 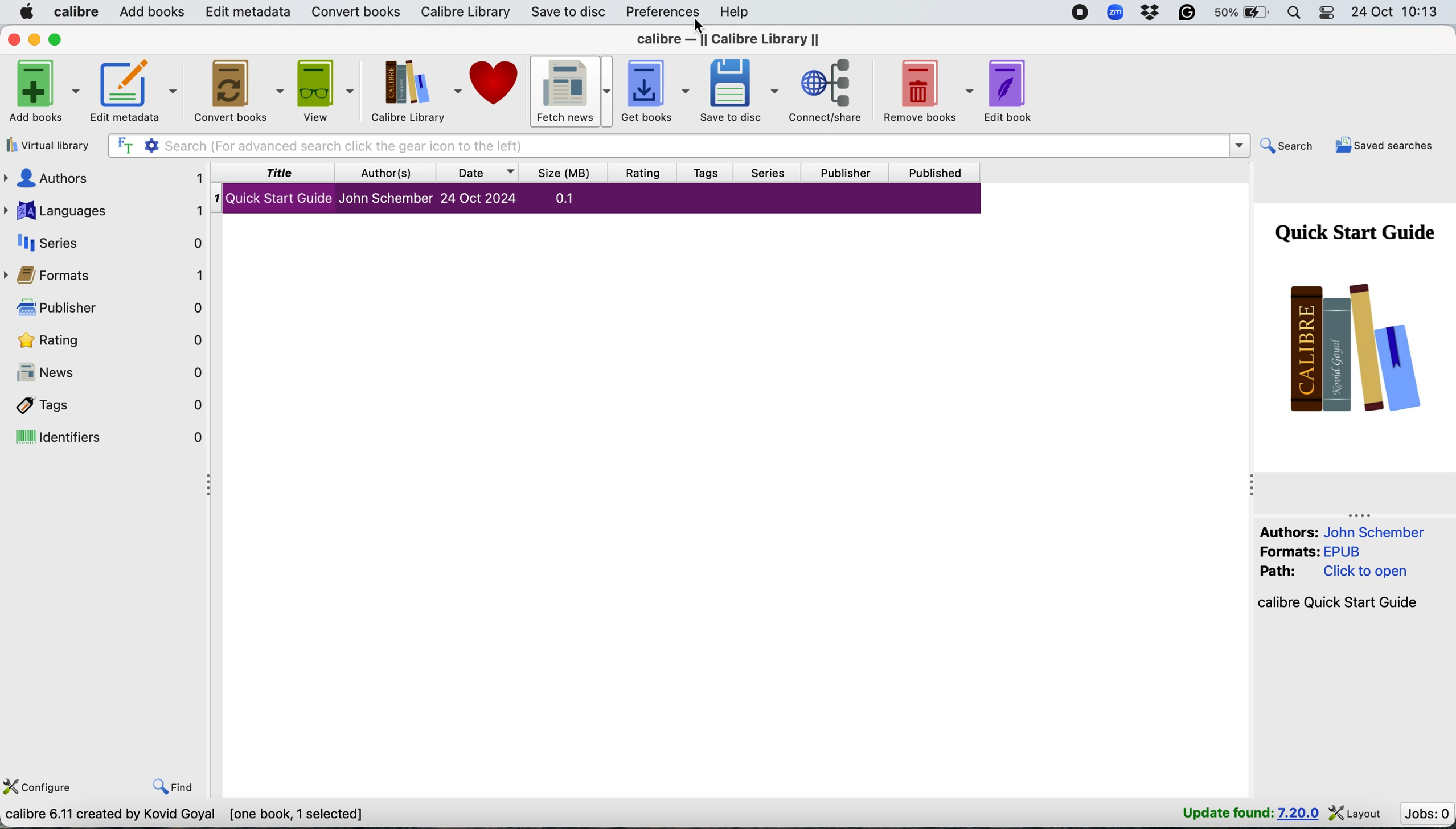 What do you see at coordinates (665, 10) in the screenshot?
I see `preferences` at bounding box center [665, 10].